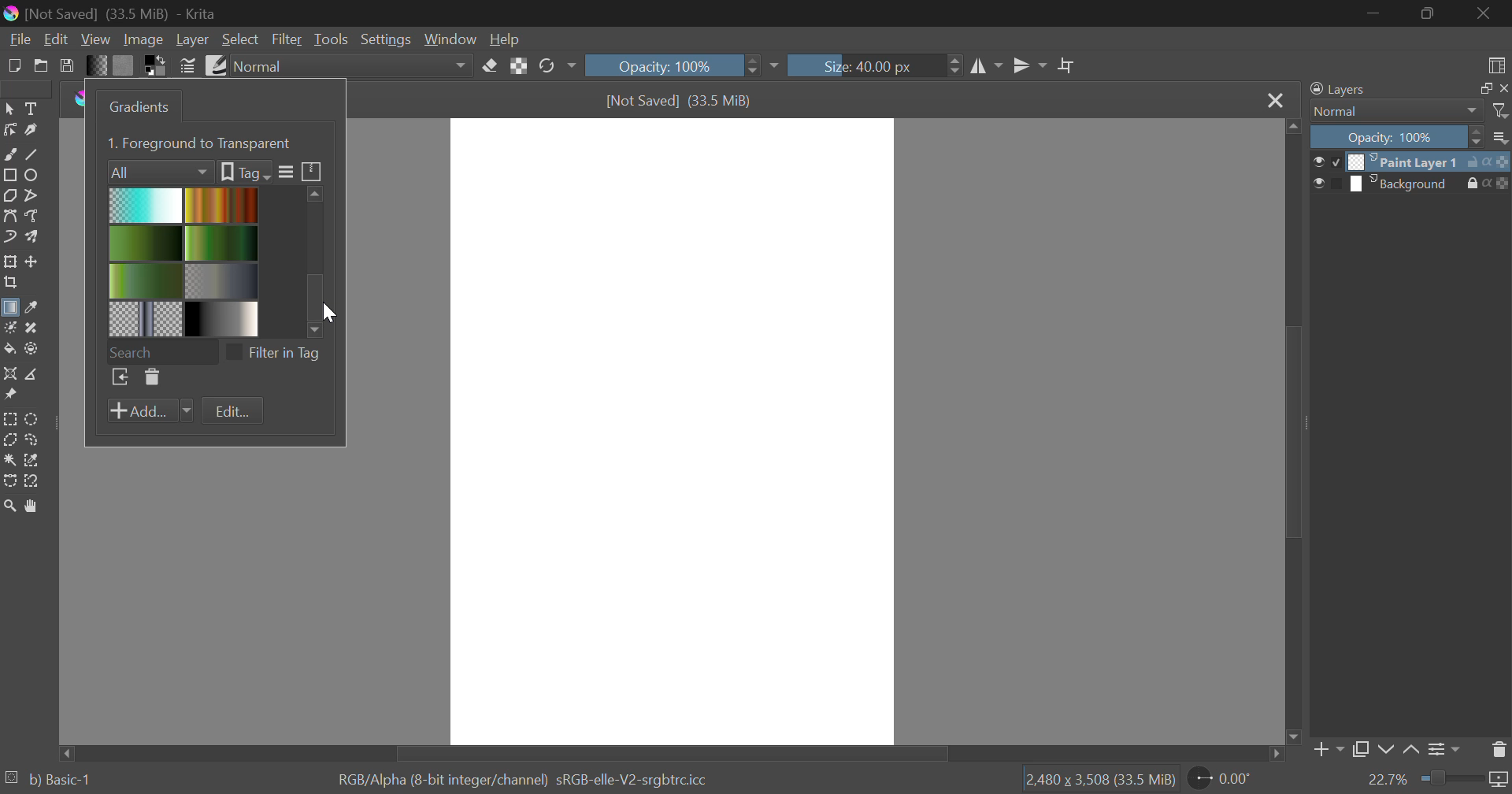 The width and height of the screenshot is (1512, 794). I want to click on Measurement, so click(32, 375).